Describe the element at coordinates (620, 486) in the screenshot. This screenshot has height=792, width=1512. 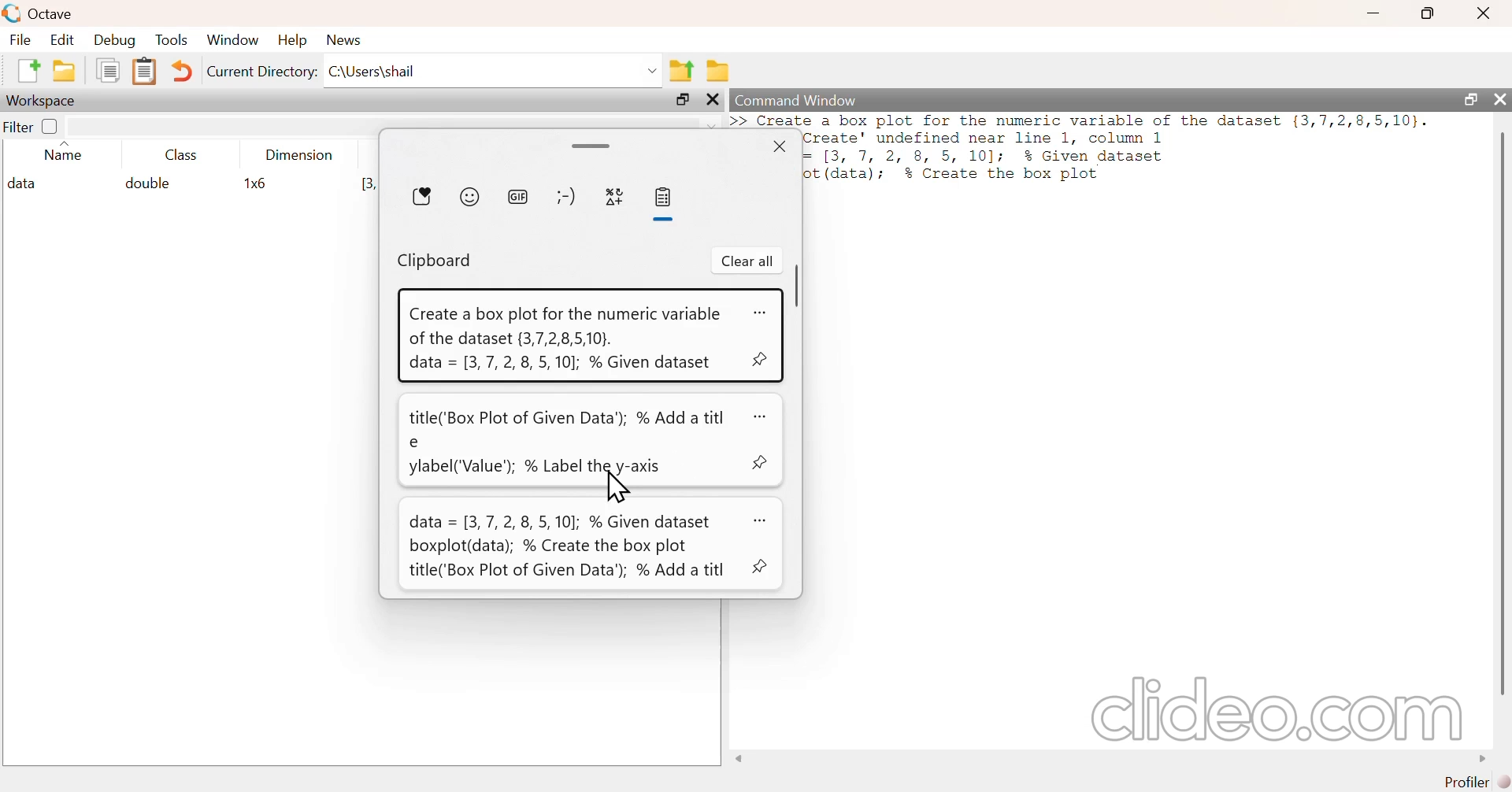
I see `cursor` at that location.